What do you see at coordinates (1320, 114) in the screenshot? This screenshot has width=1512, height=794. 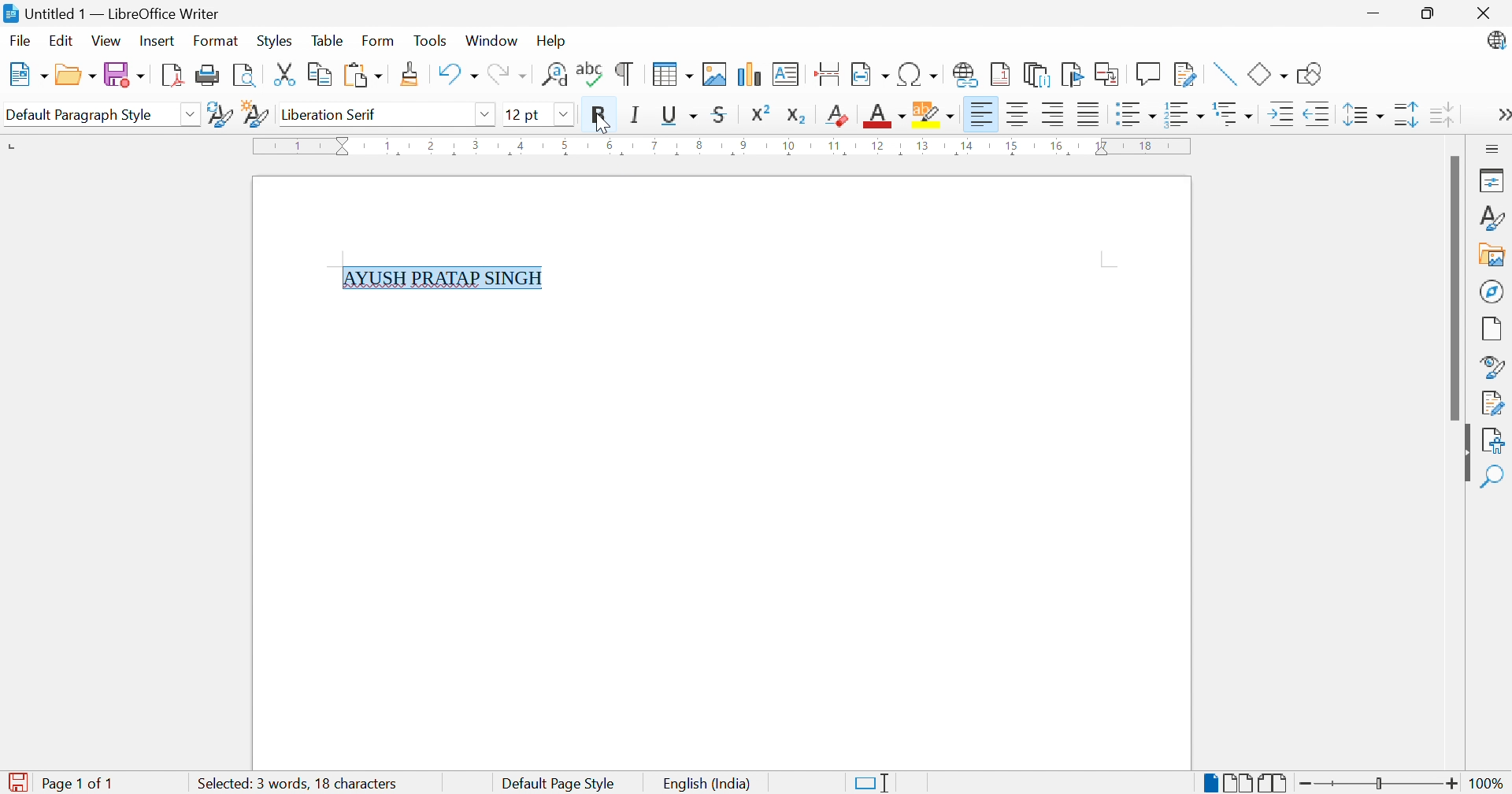 I see `Decrease Indent` at bounding box center [1320, 114].